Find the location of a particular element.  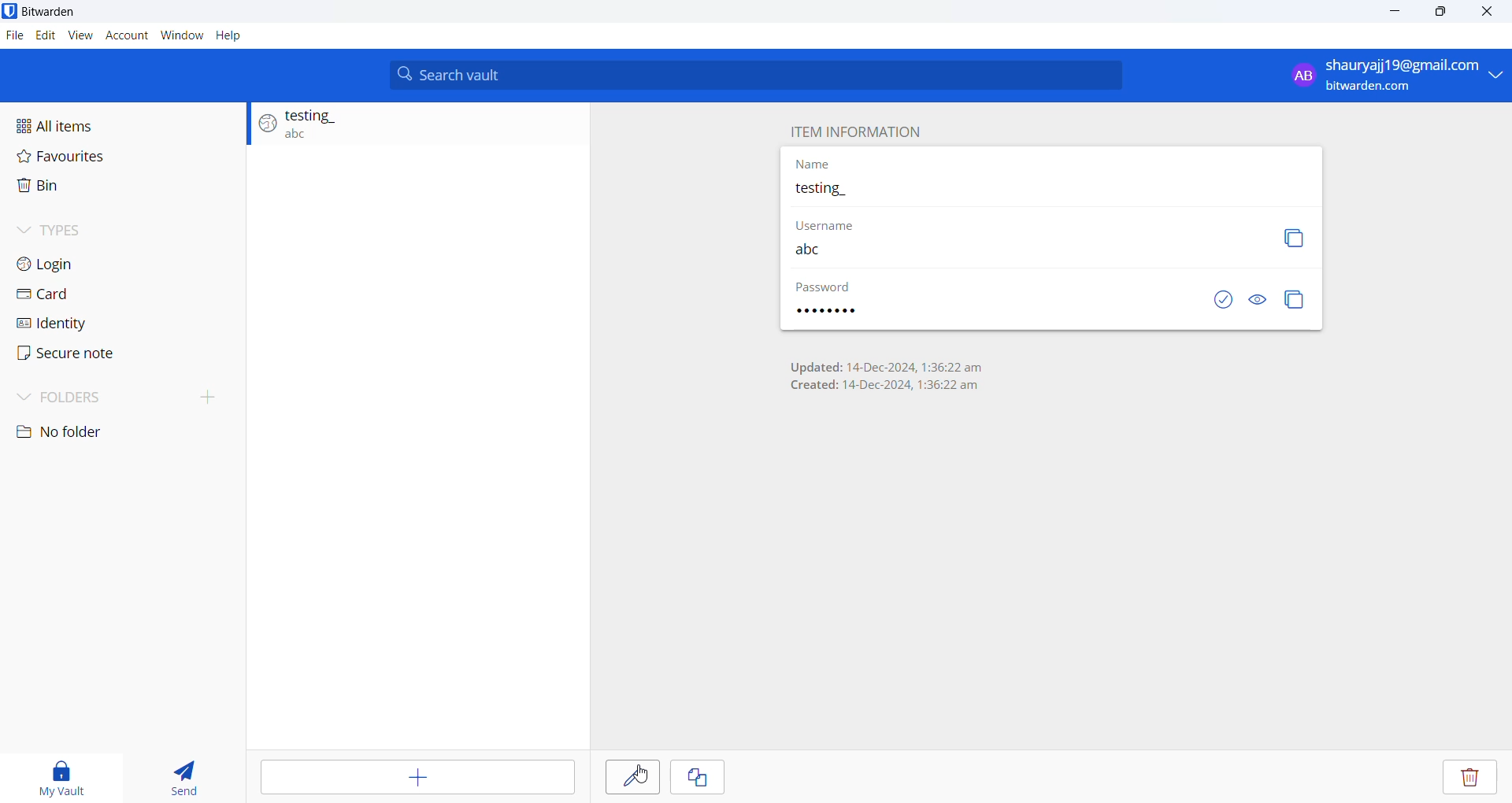

Visibility is located at coordinates (1258, 301).